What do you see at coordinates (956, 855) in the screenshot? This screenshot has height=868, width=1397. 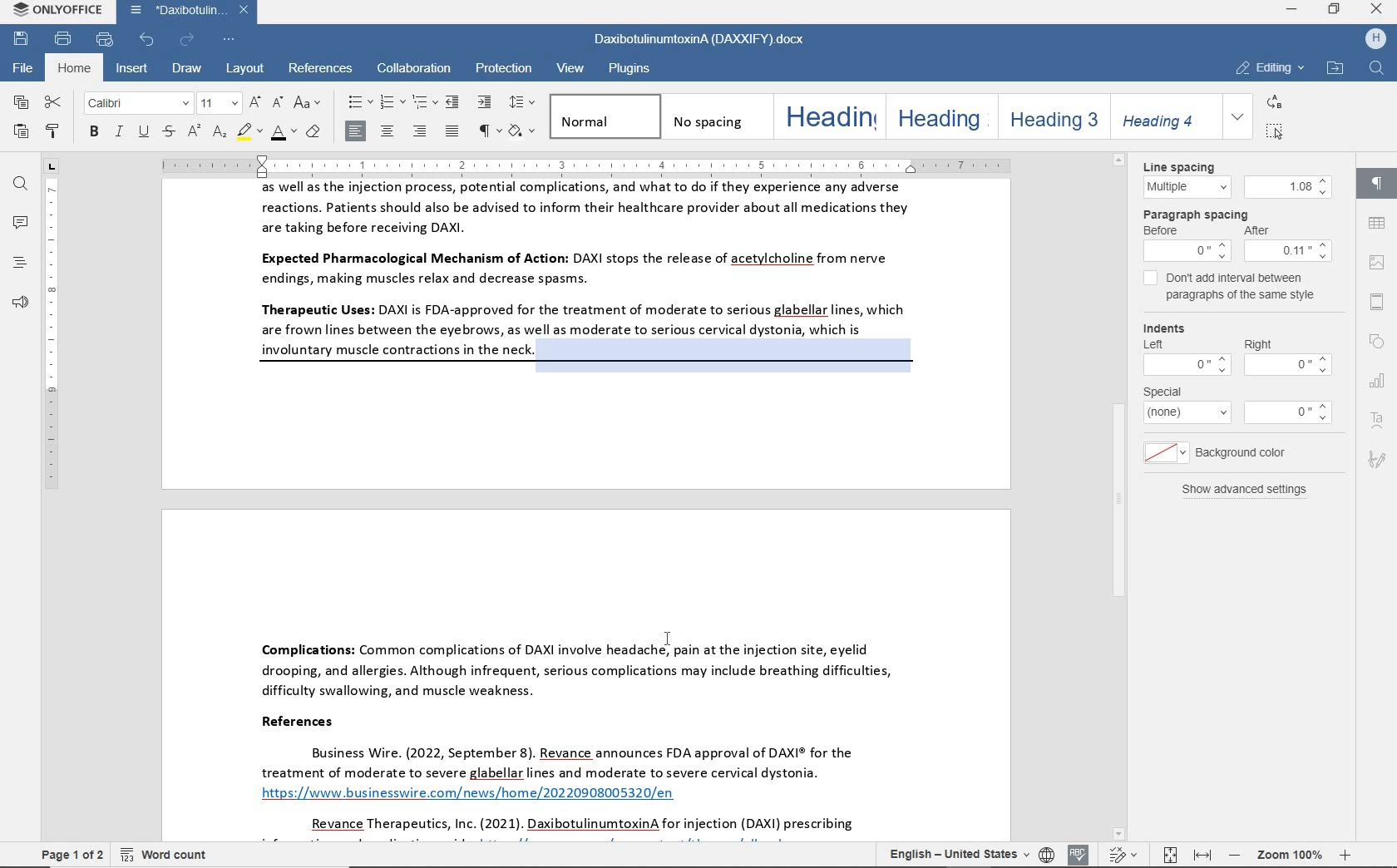 I see `text language` at bounding box center [956, 855].